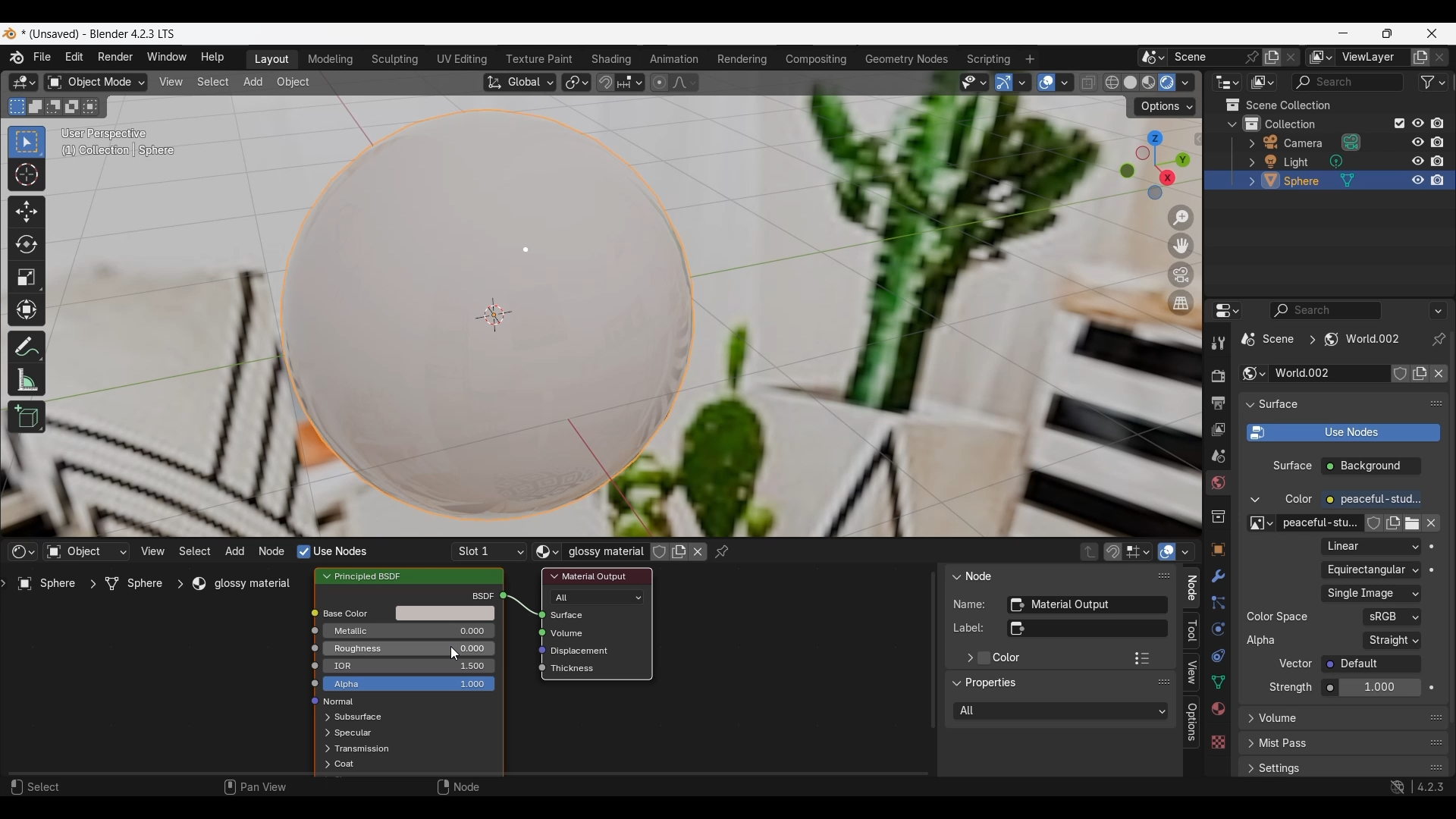 This screenshot has width=1456, height=819. Describe the element at coordinates (1420, 57) in the screenshot. I see `Add view layer` at that location.